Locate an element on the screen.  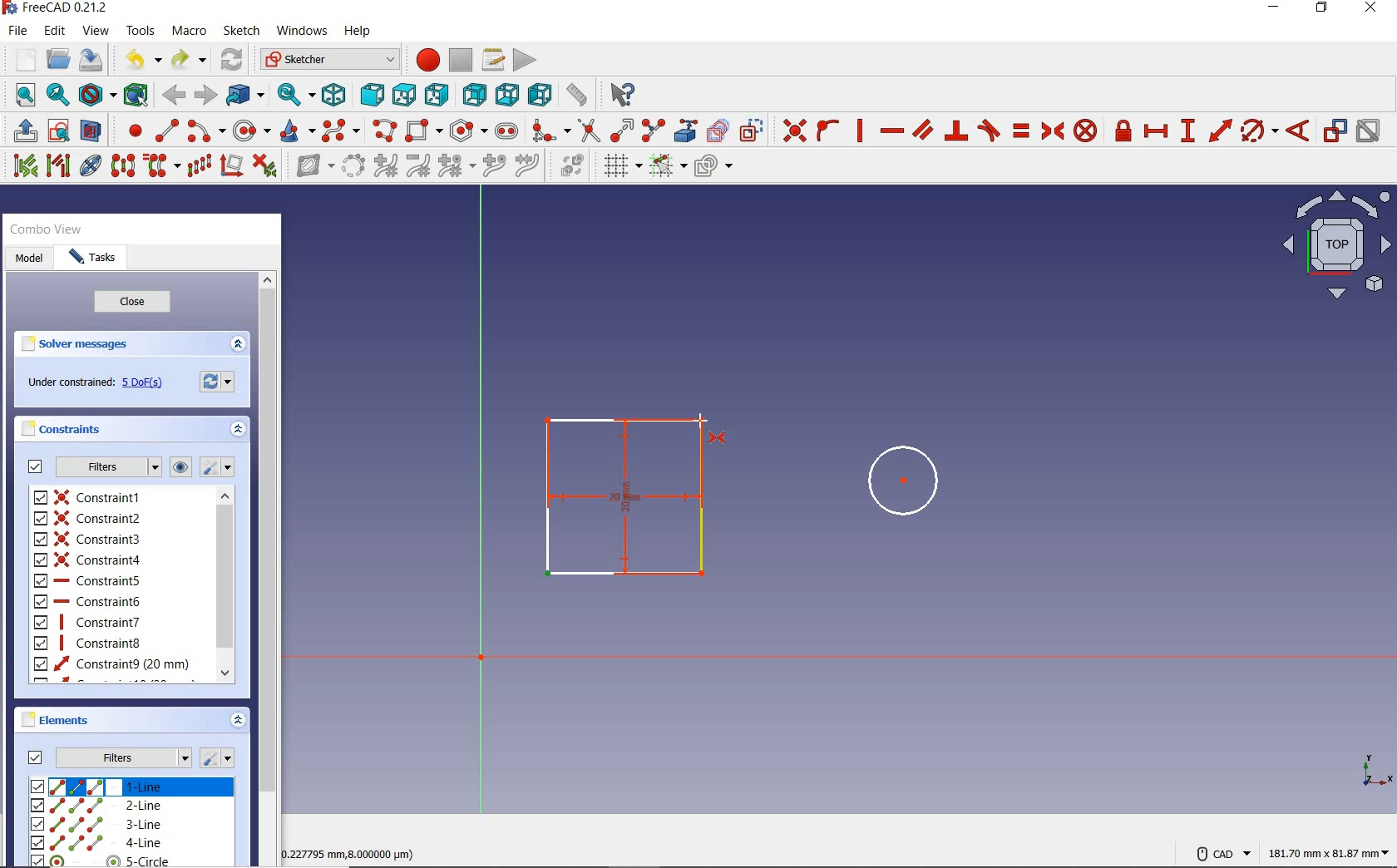
forces recomputation of active document is located at coordinates (221, 384).